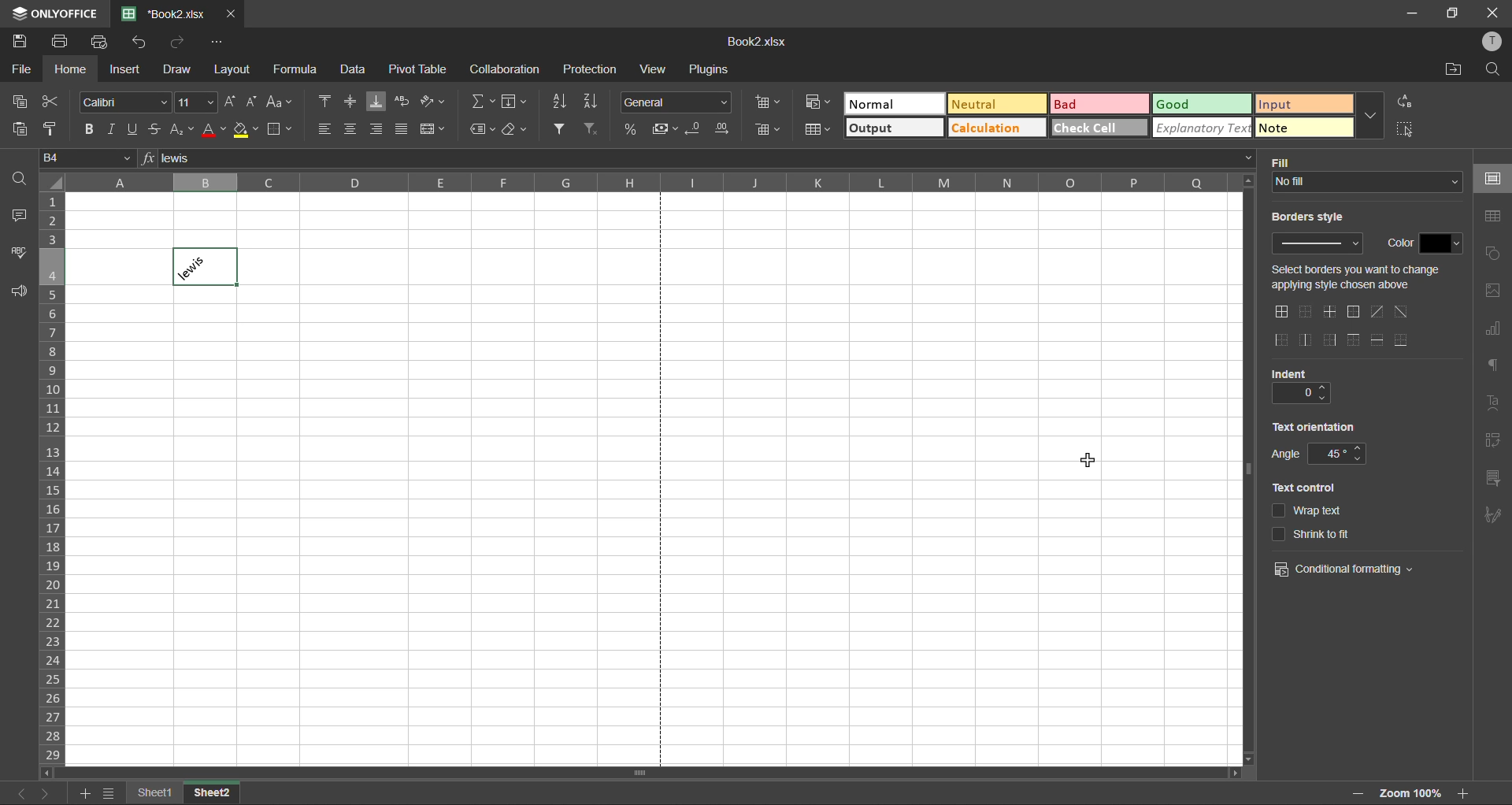 The image size is (1512, 805). What do you see at coordinates (109, 793) in the screenshot?
I see `sheet list` at bounding box center [109, 793].